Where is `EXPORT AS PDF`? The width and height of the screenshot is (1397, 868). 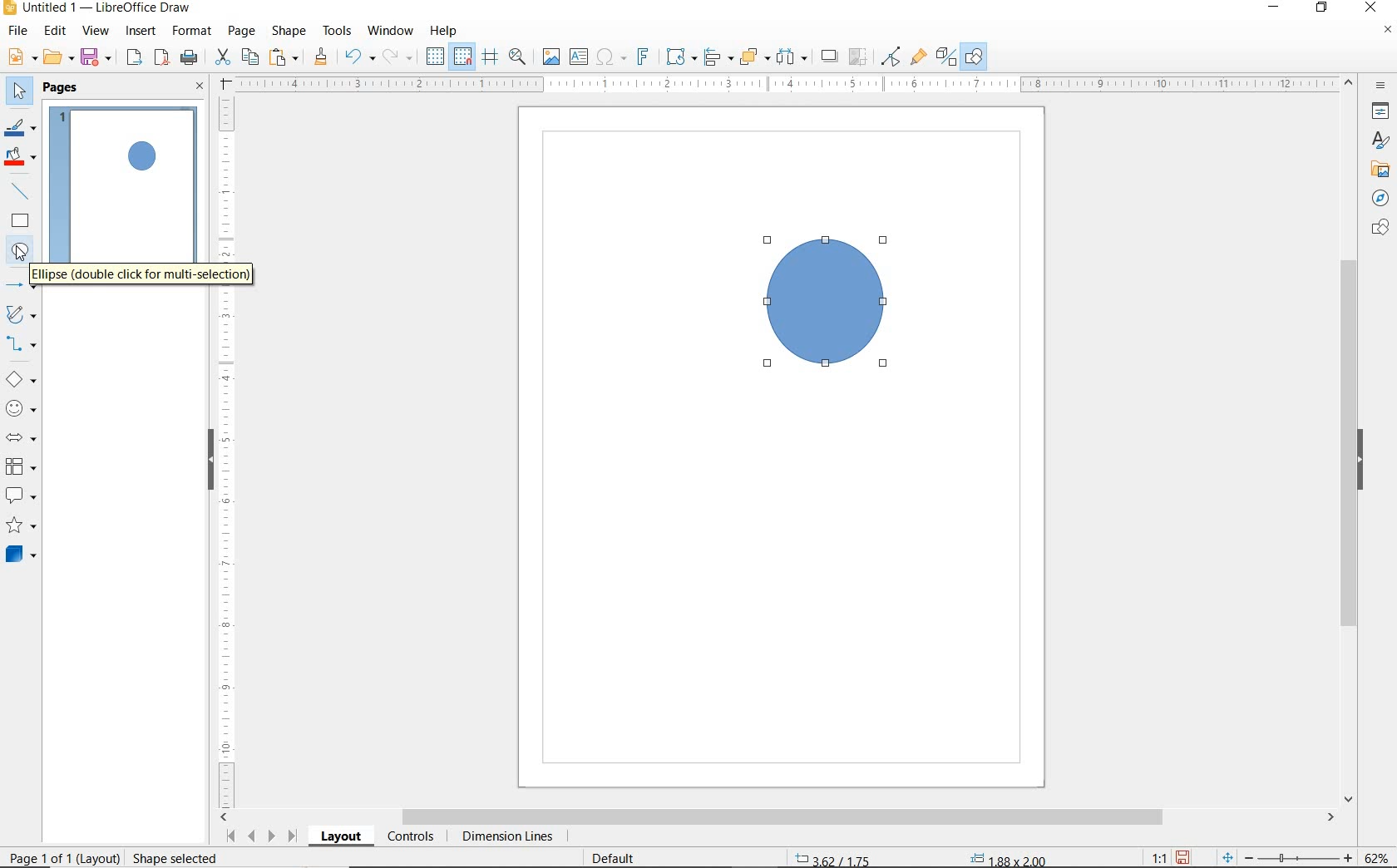
EXPORT AS PDF is located at coordinates (162, 59).